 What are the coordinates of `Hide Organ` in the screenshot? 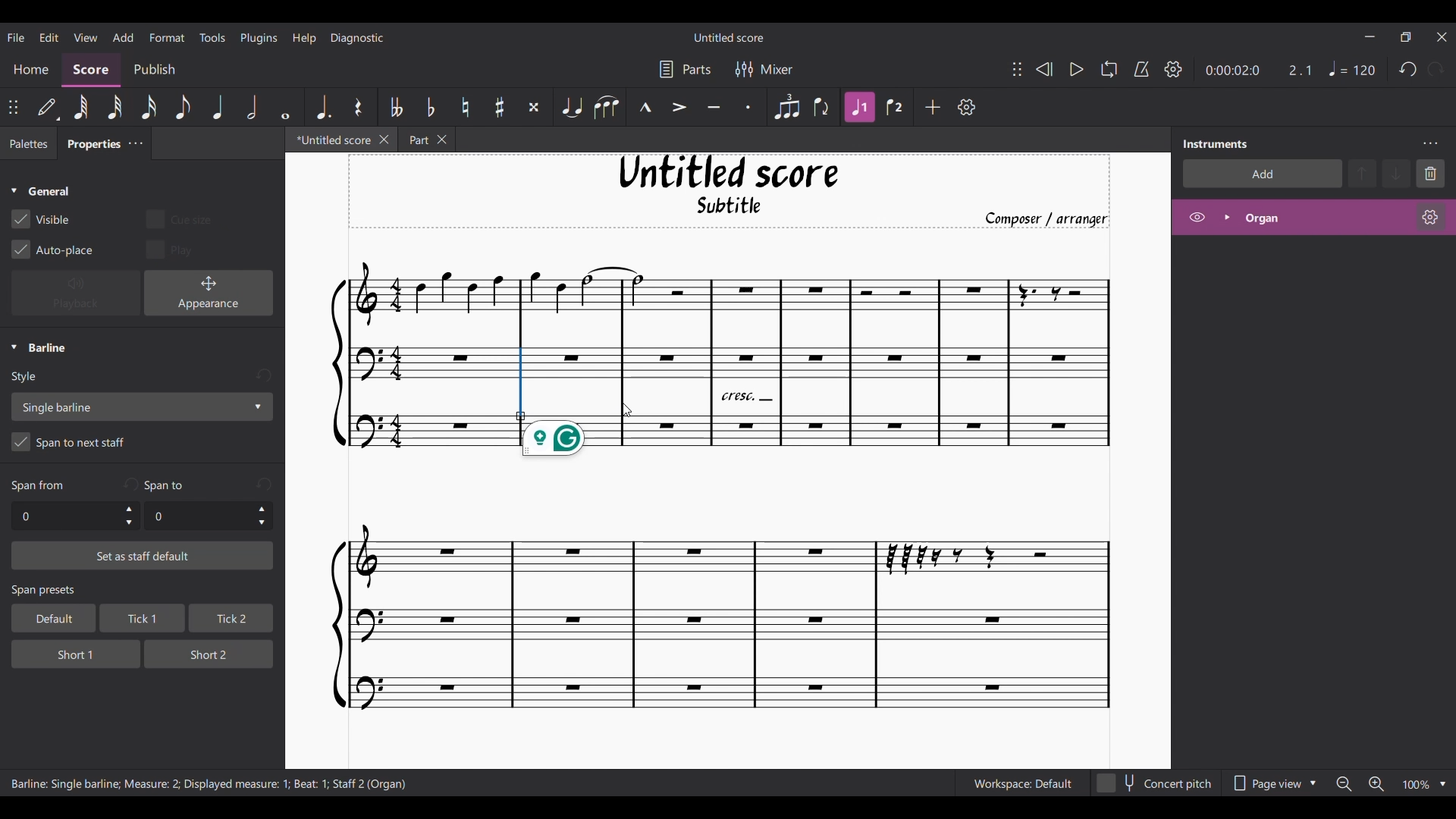 It's located at (1197, 217).